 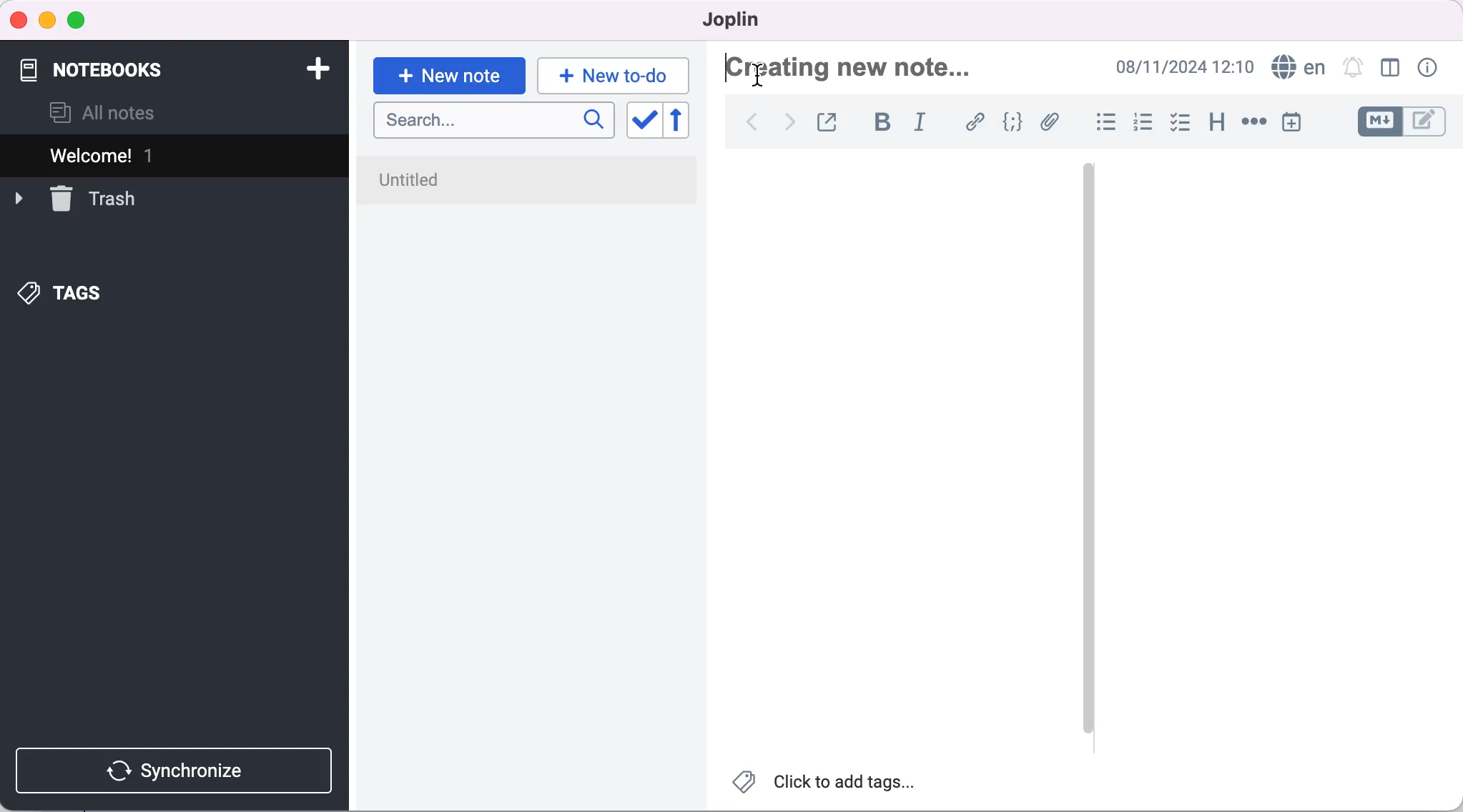 I want to click on search, so click(x=493, y=122).